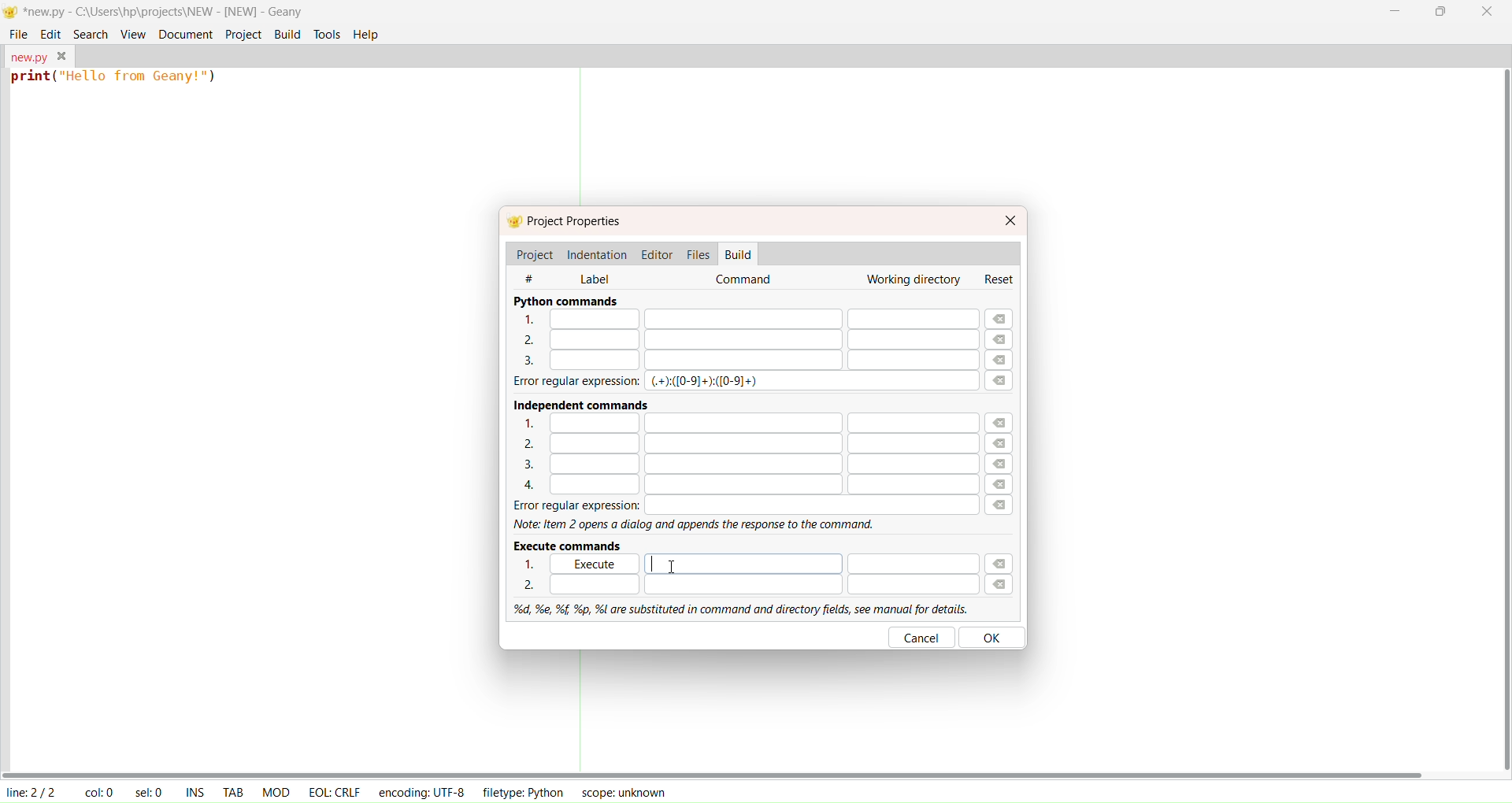  What do you see at coordinates (133, 32) in the screenshot?
I see `view` at bounding box center [133, 32].